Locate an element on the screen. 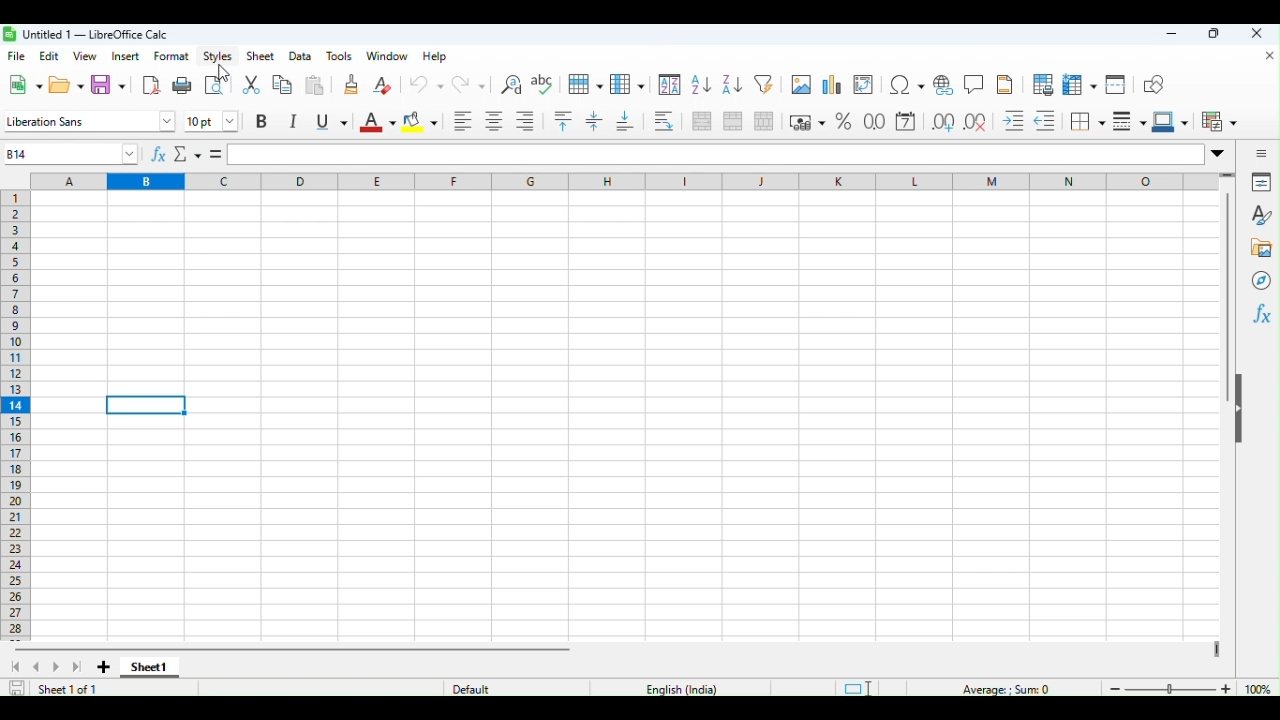 This screenshot has width=1280, height=720. Conditional is located at coordinates (1219, 122).